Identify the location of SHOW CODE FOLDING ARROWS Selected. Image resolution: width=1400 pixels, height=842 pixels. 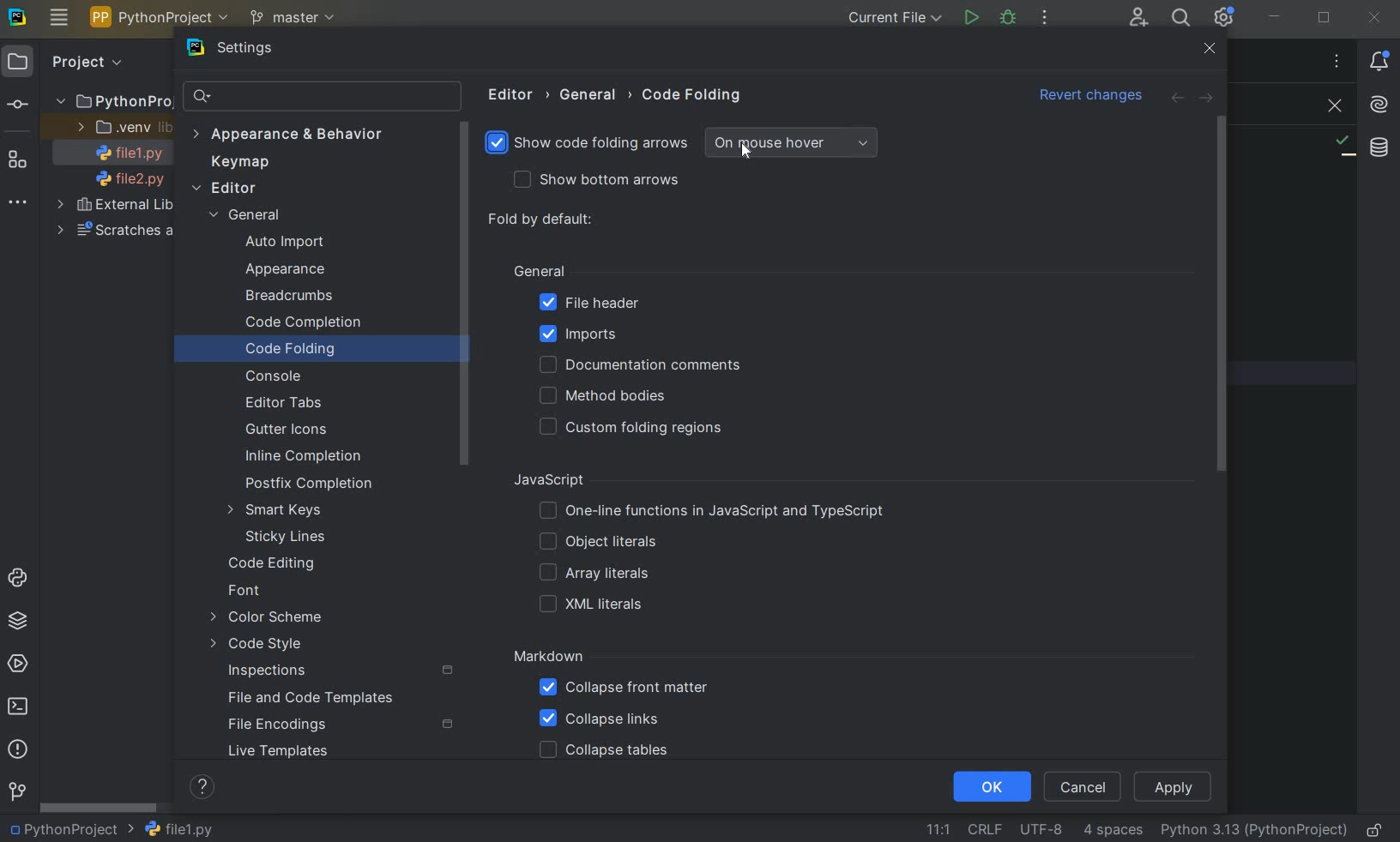
(590, 145).